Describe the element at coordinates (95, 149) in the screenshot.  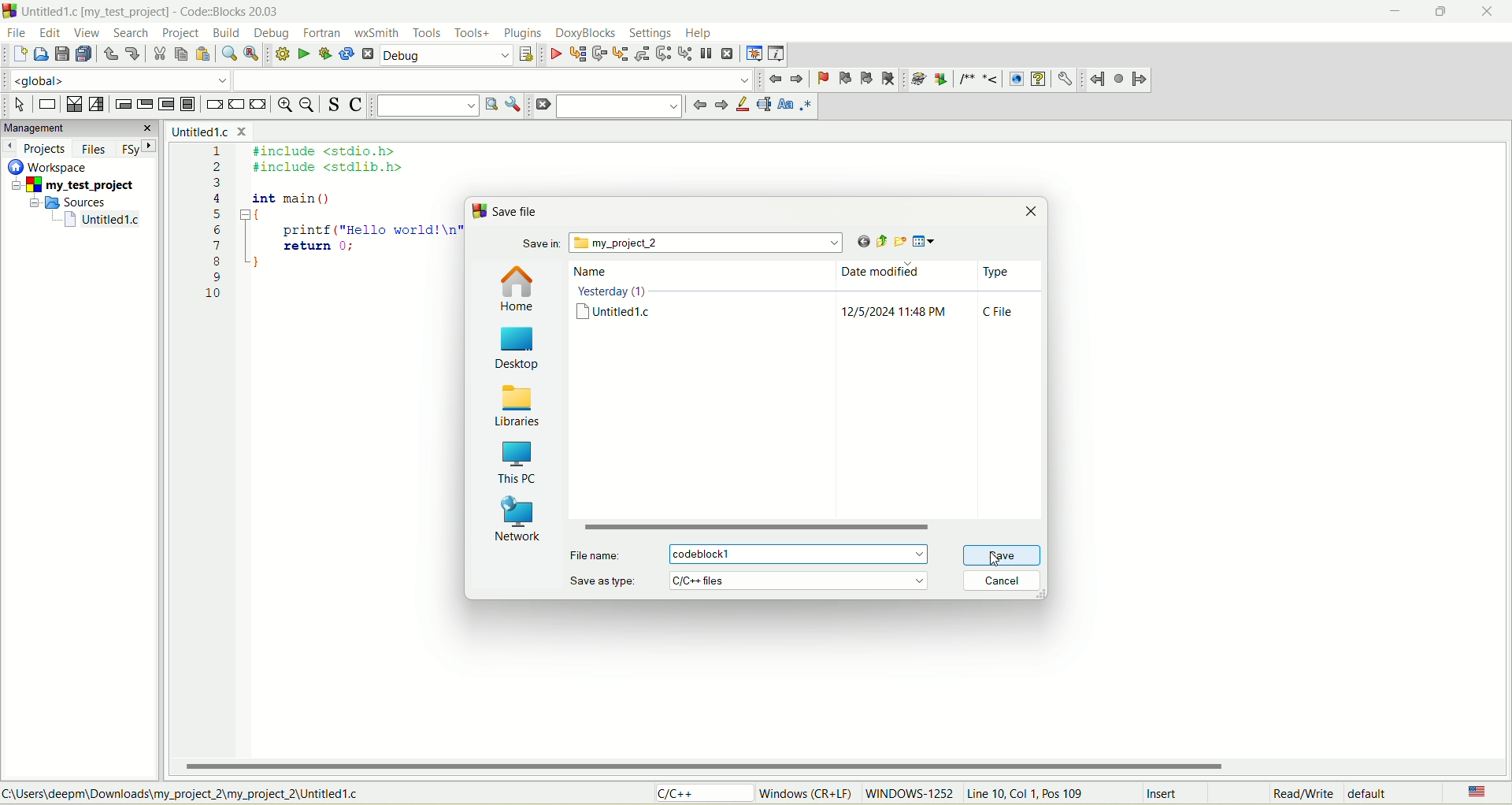
I see `files` at that location.